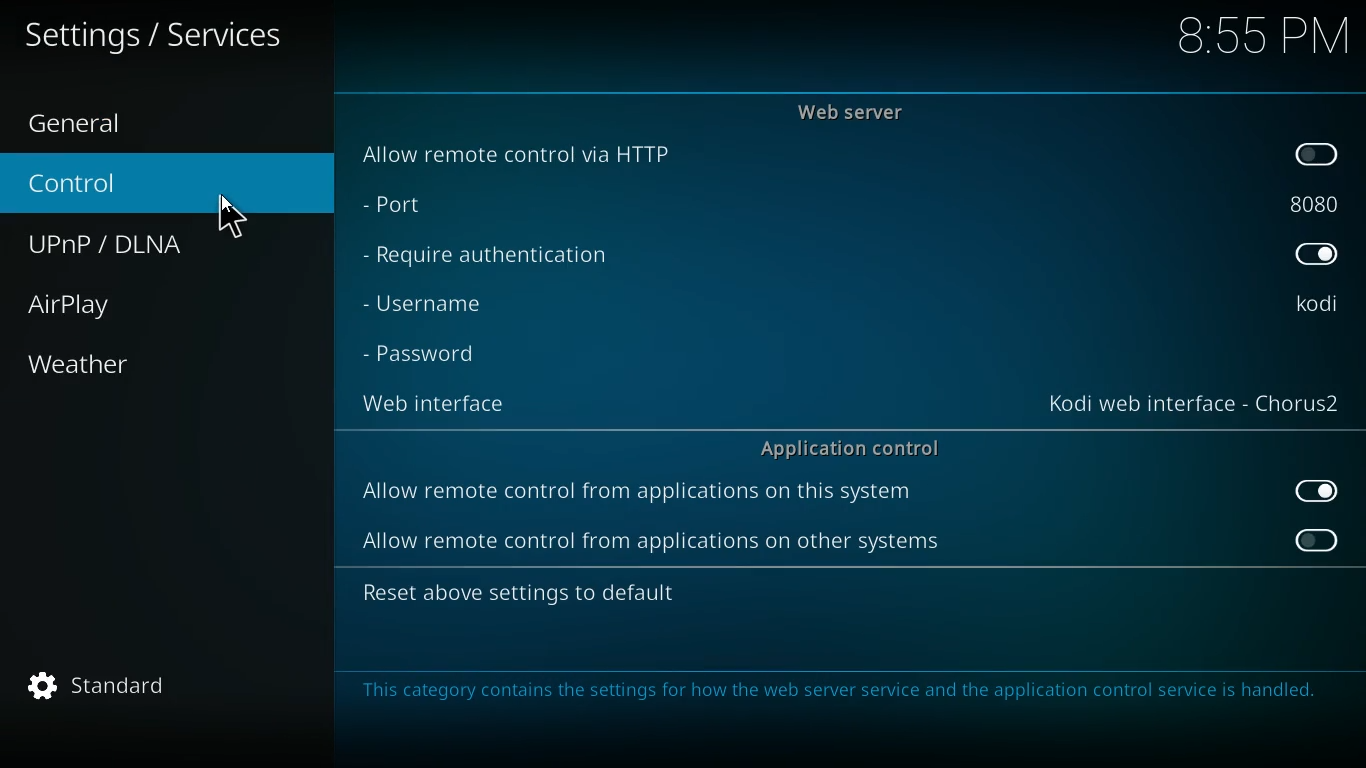  I want to click on web server, so click(861, 112).